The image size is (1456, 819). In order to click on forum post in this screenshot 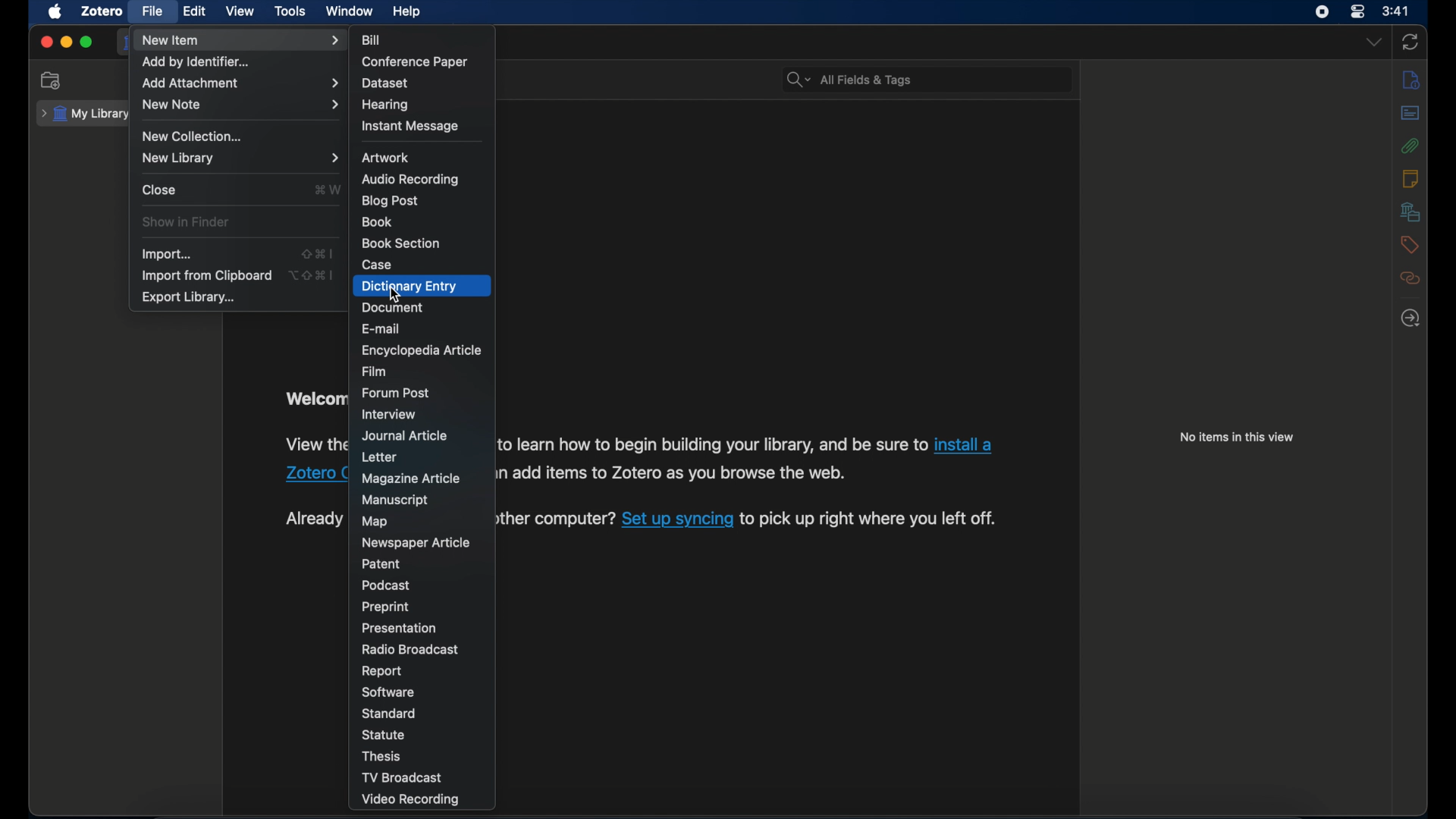, I will do `click(397, 393)`.